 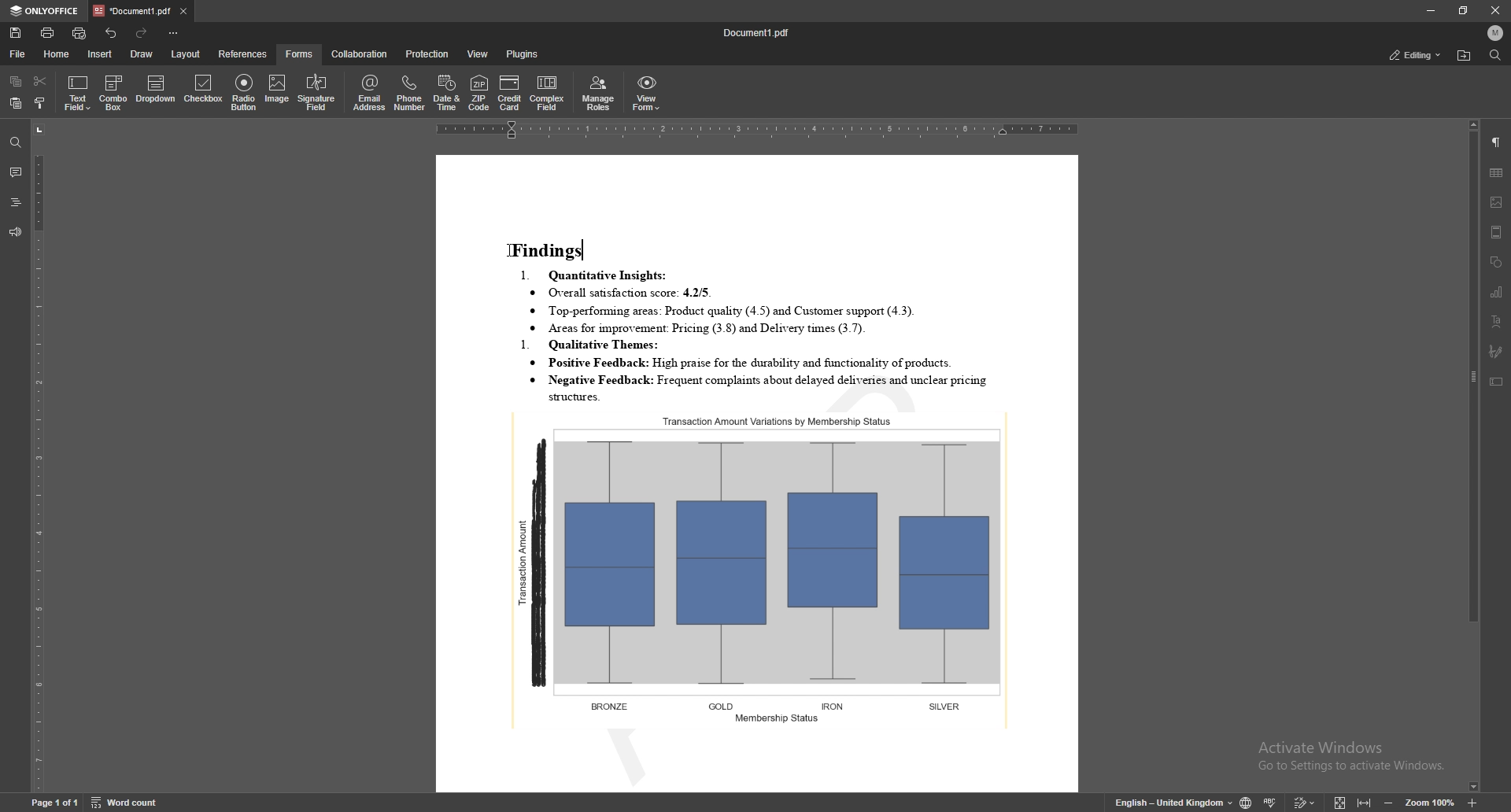 I want to click on heading, so click(x=16, y=203).